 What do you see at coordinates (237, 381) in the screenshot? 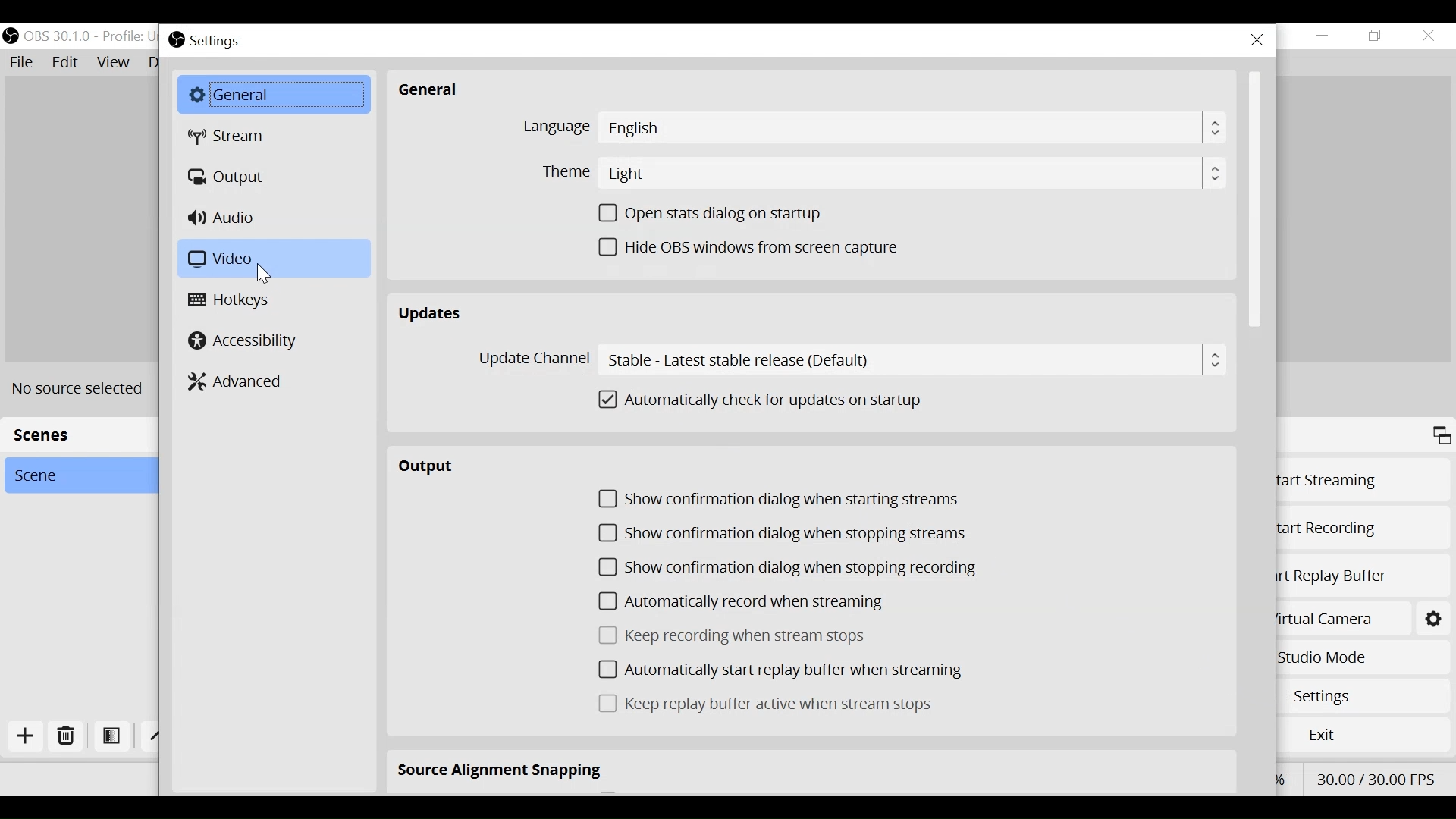
I see `Advanced` at bounding box center [237, 381].